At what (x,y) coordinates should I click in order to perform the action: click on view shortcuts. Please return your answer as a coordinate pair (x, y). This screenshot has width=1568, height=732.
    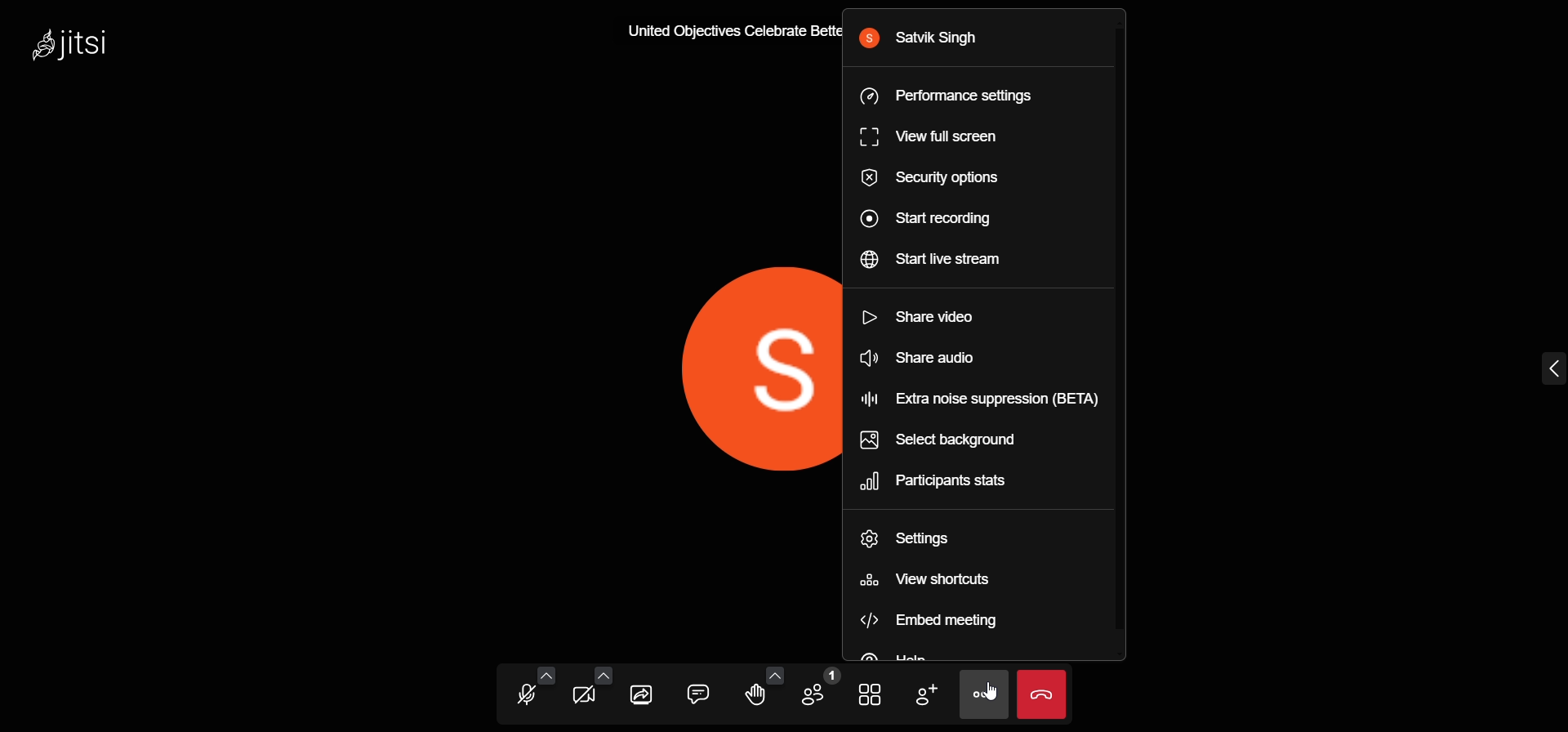
    Looking at the image, I should click on (944, 578).